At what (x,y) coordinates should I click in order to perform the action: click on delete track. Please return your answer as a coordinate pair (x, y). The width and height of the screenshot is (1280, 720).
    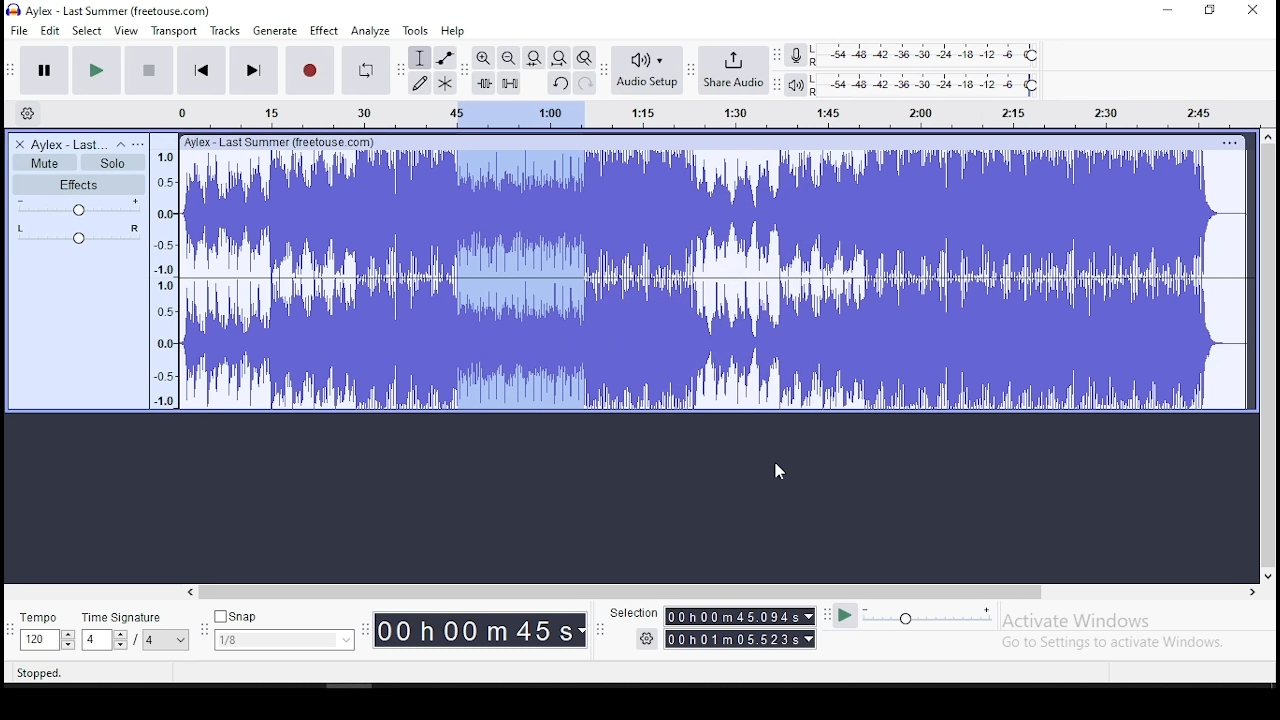
    Looking at the image, I should click on (19, 144).